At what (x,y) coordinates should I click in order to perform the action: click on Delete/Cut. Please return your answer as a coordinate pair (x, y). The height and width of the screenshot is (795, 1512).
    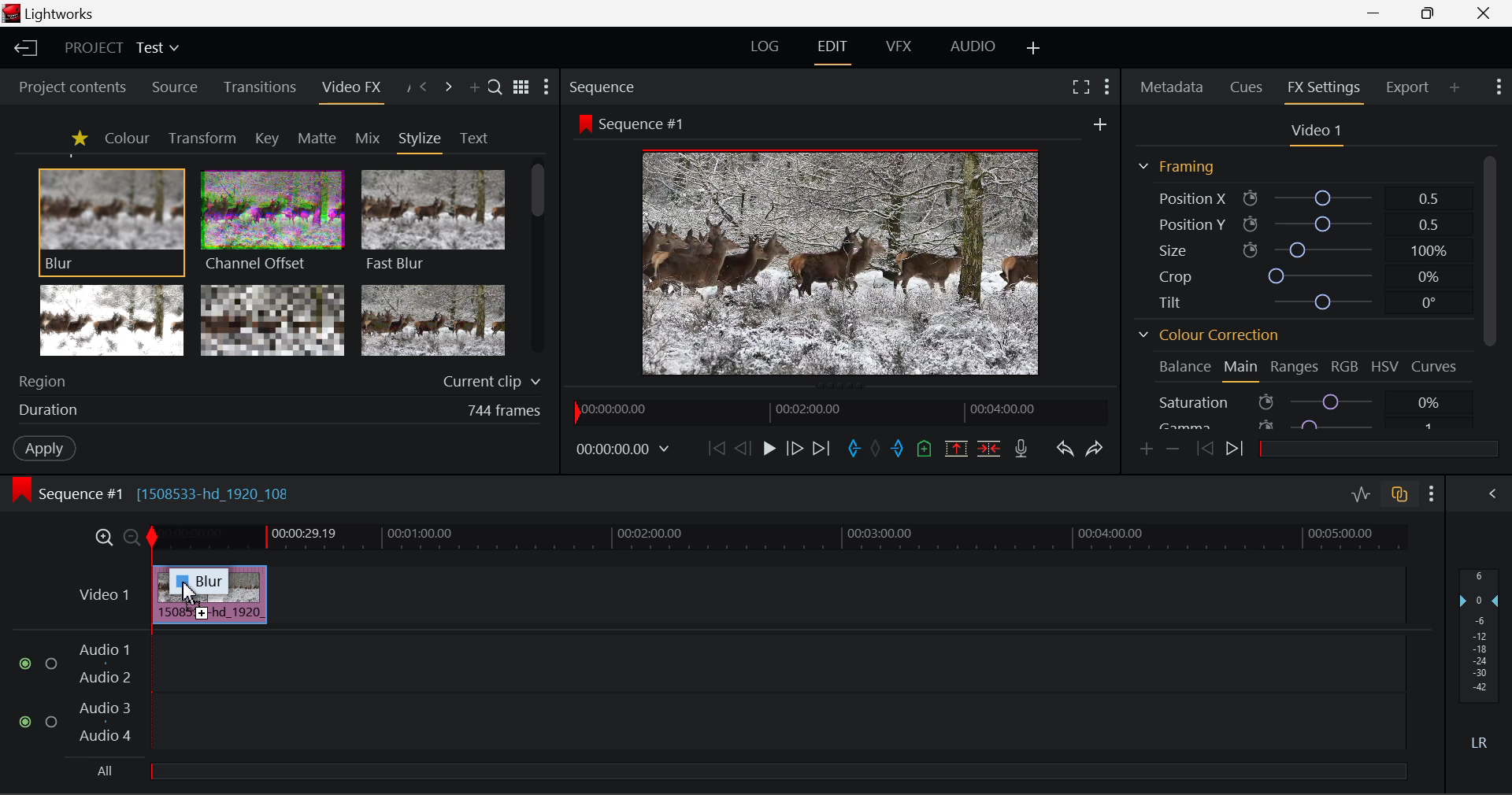
    Looking at the image, I should click on (991, 444).